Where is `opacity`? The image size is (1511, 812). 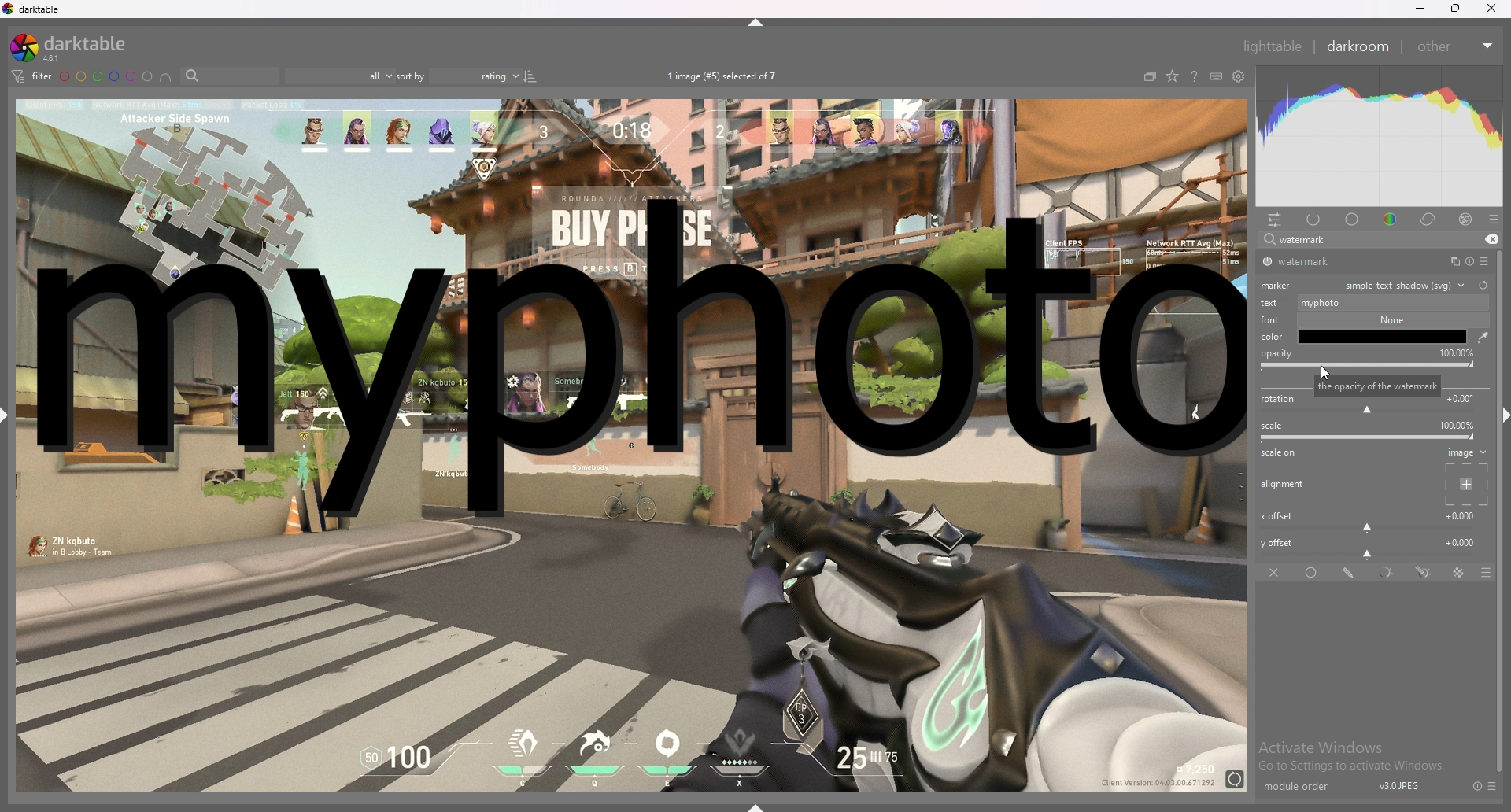
opacity is located at coordinates (1276, 361).